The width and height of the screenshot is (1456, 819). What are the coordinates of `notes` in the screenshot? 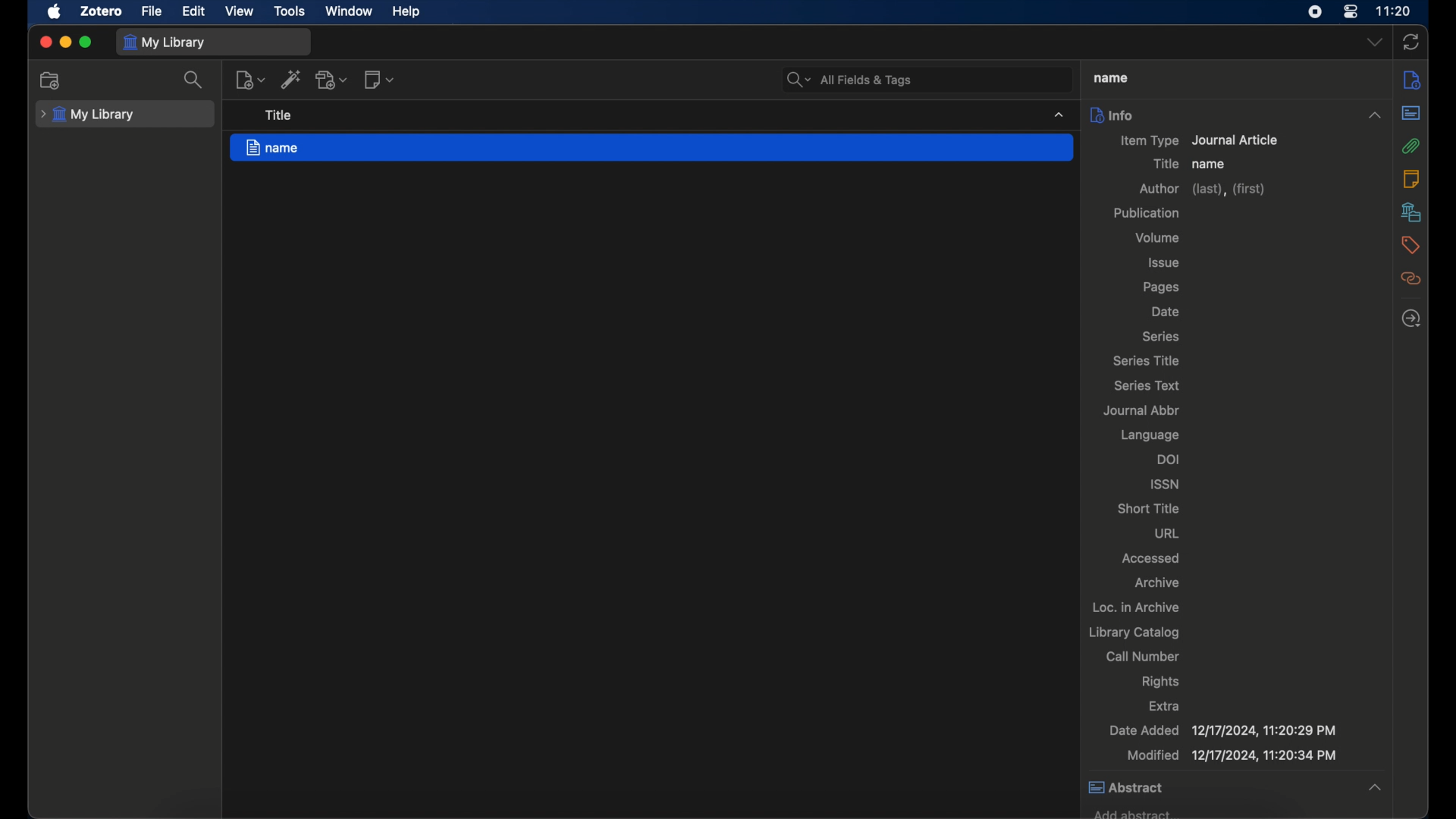 It's located at (1410, 178).